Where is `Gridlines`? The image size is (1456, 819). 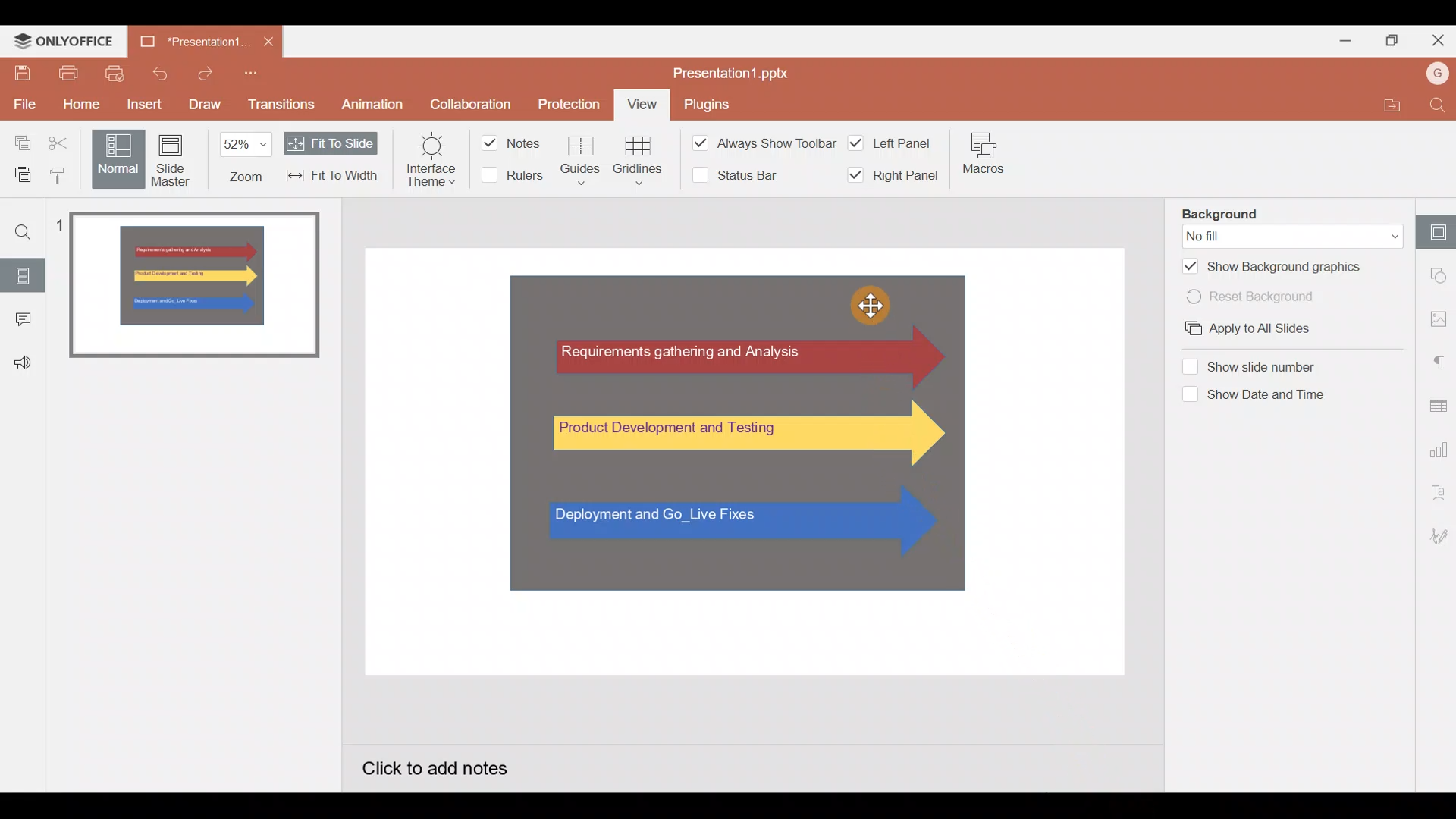 Gridlines is located at coordinates (639, 159).